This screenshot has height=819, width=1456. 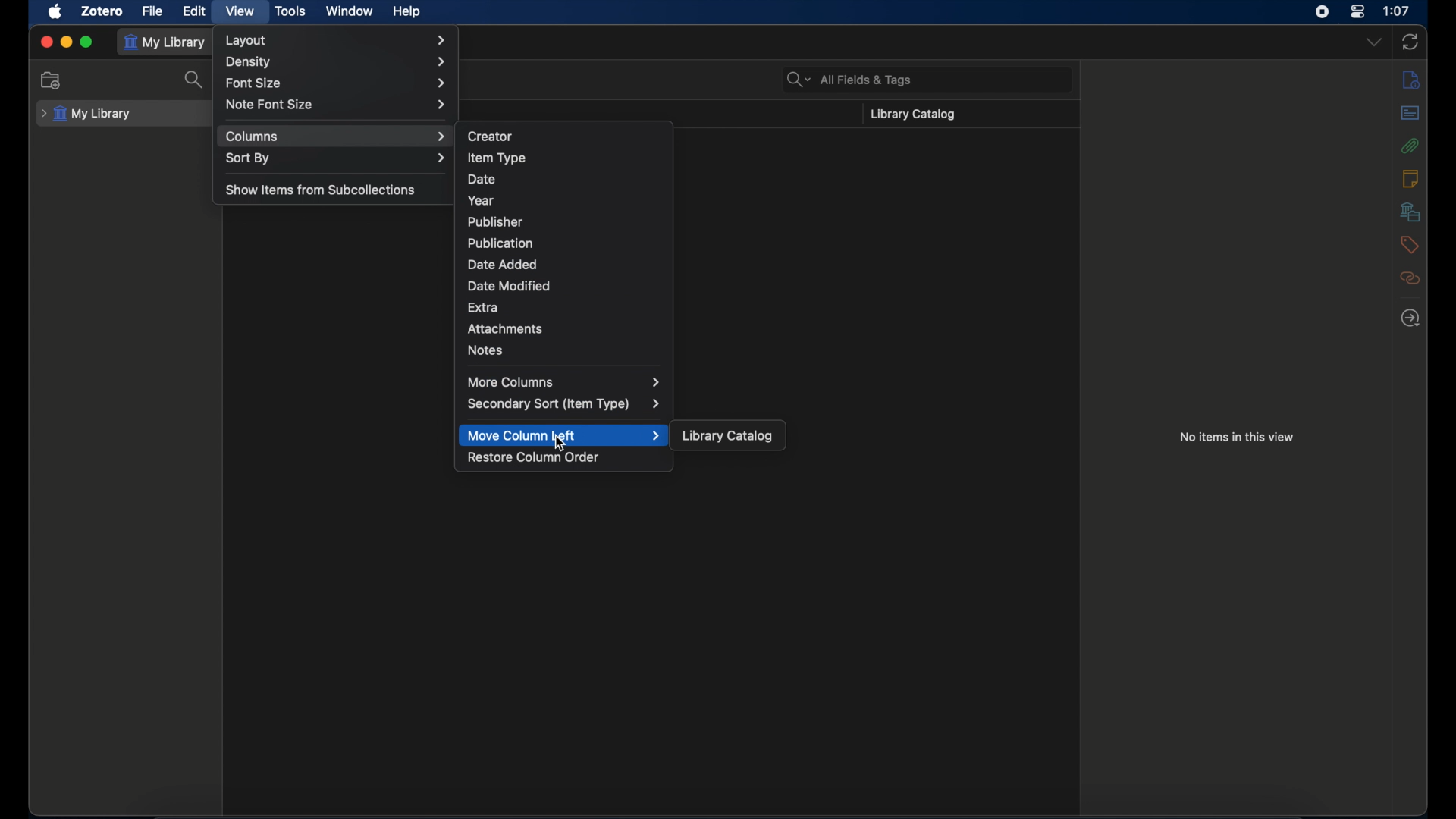 What do you see at coordinates (482, 201) in the screenshot?
I see `year` at bounding box center [482, 201].